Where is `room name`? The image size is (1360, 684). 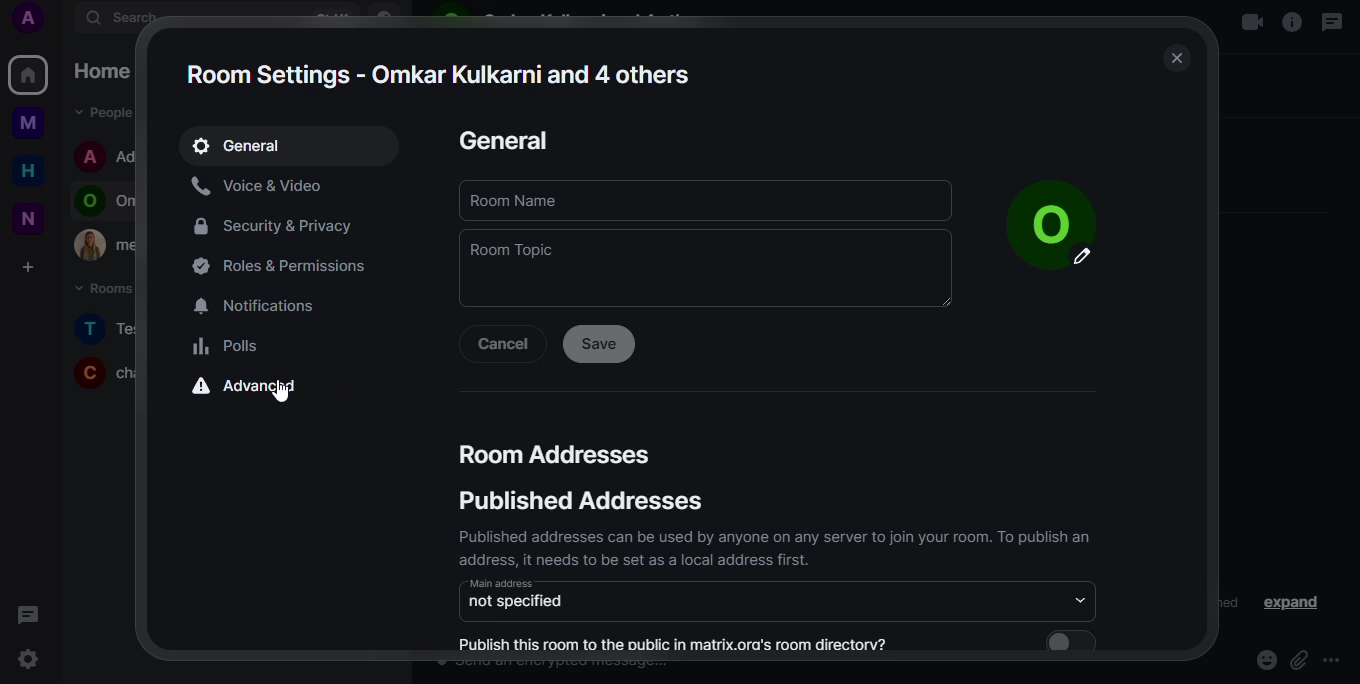
room name is located at coordinates (522, 199).